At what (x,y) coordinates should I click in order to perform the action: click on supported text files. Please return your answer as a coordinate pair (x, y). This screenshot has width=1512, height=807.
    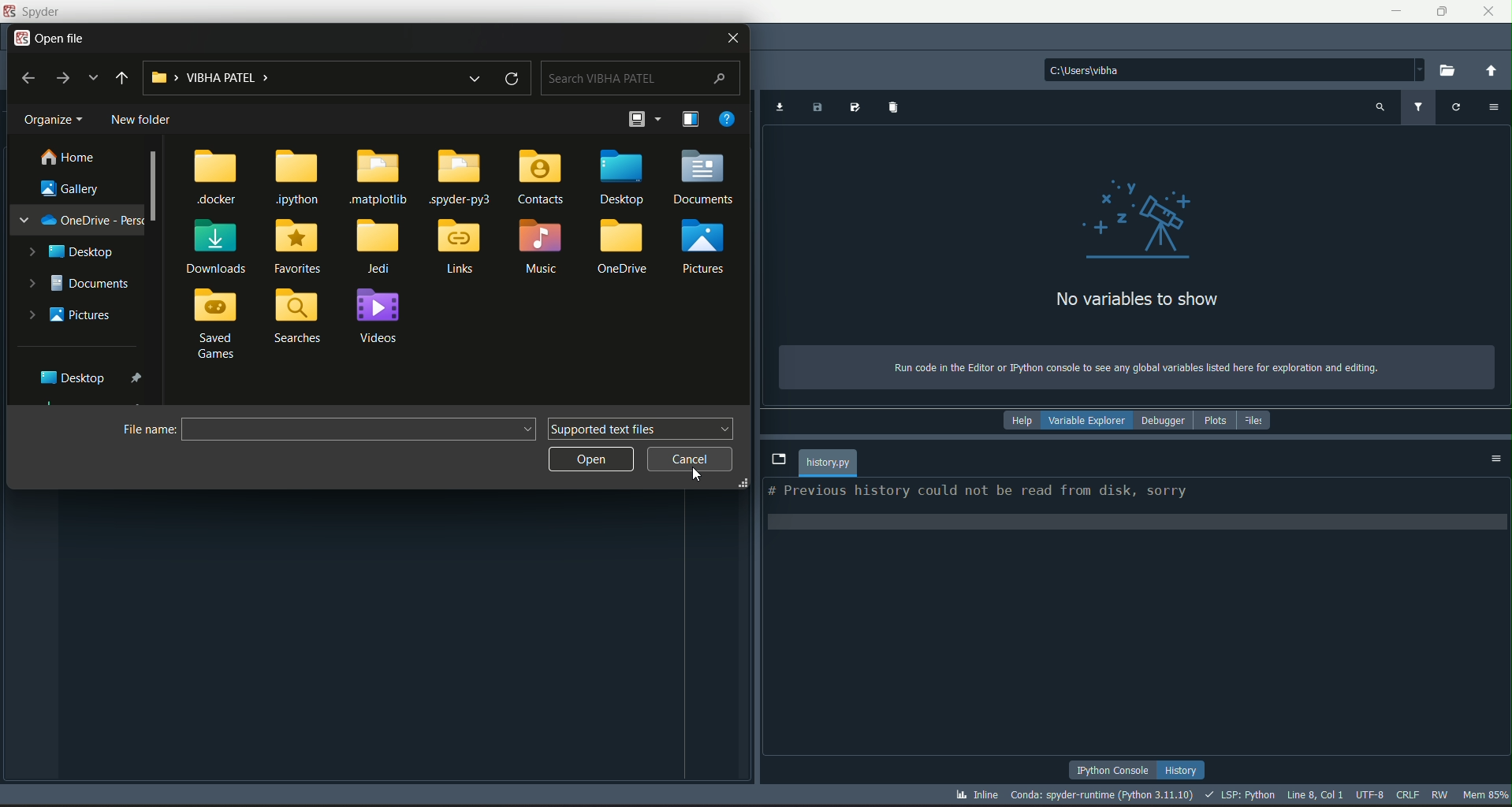
    Looking at the image, I should click on (642, 428).